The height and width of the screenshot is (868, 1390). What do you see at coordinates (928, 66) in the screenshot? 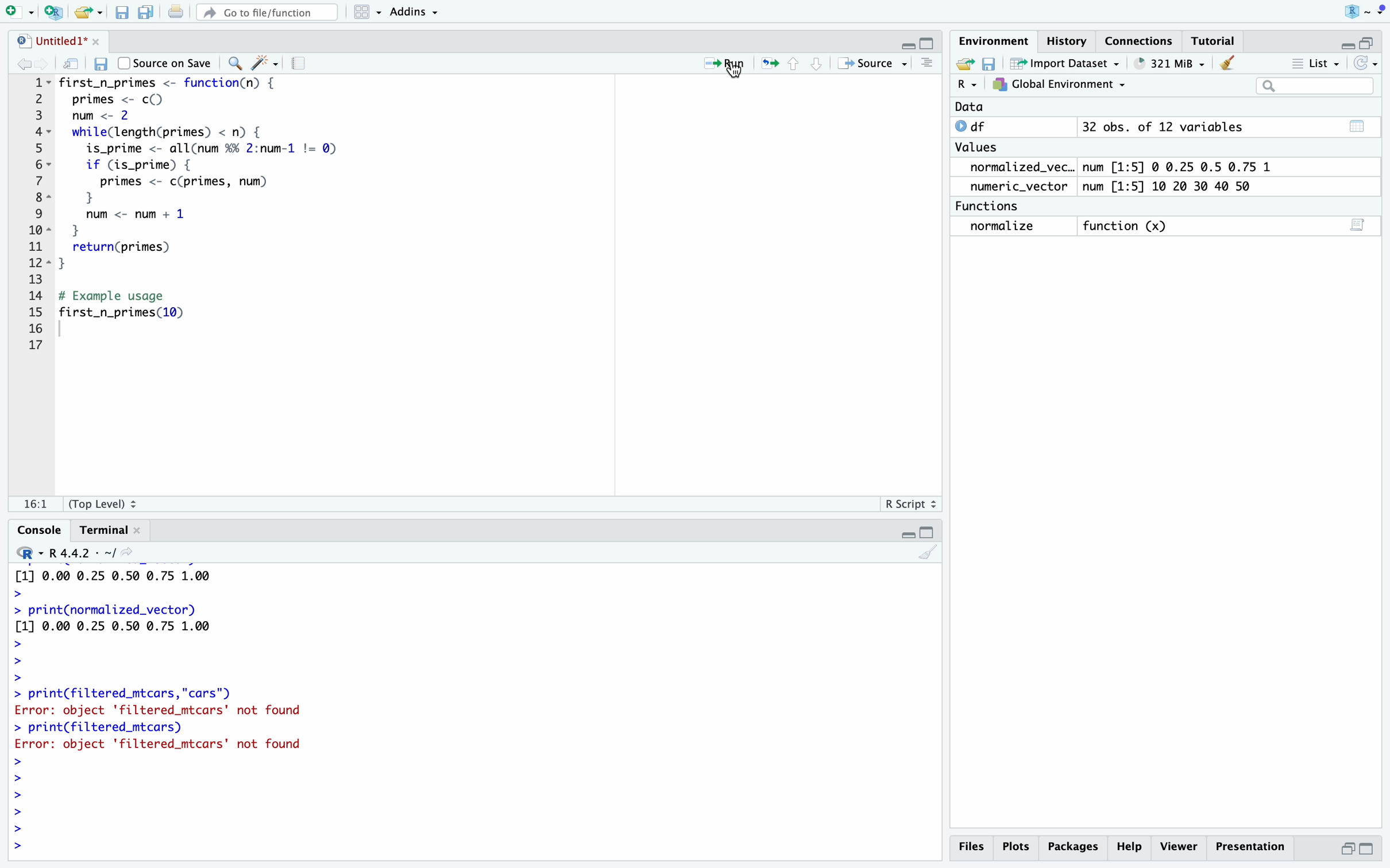
I see `show document line` at bounding box center [928, 66].